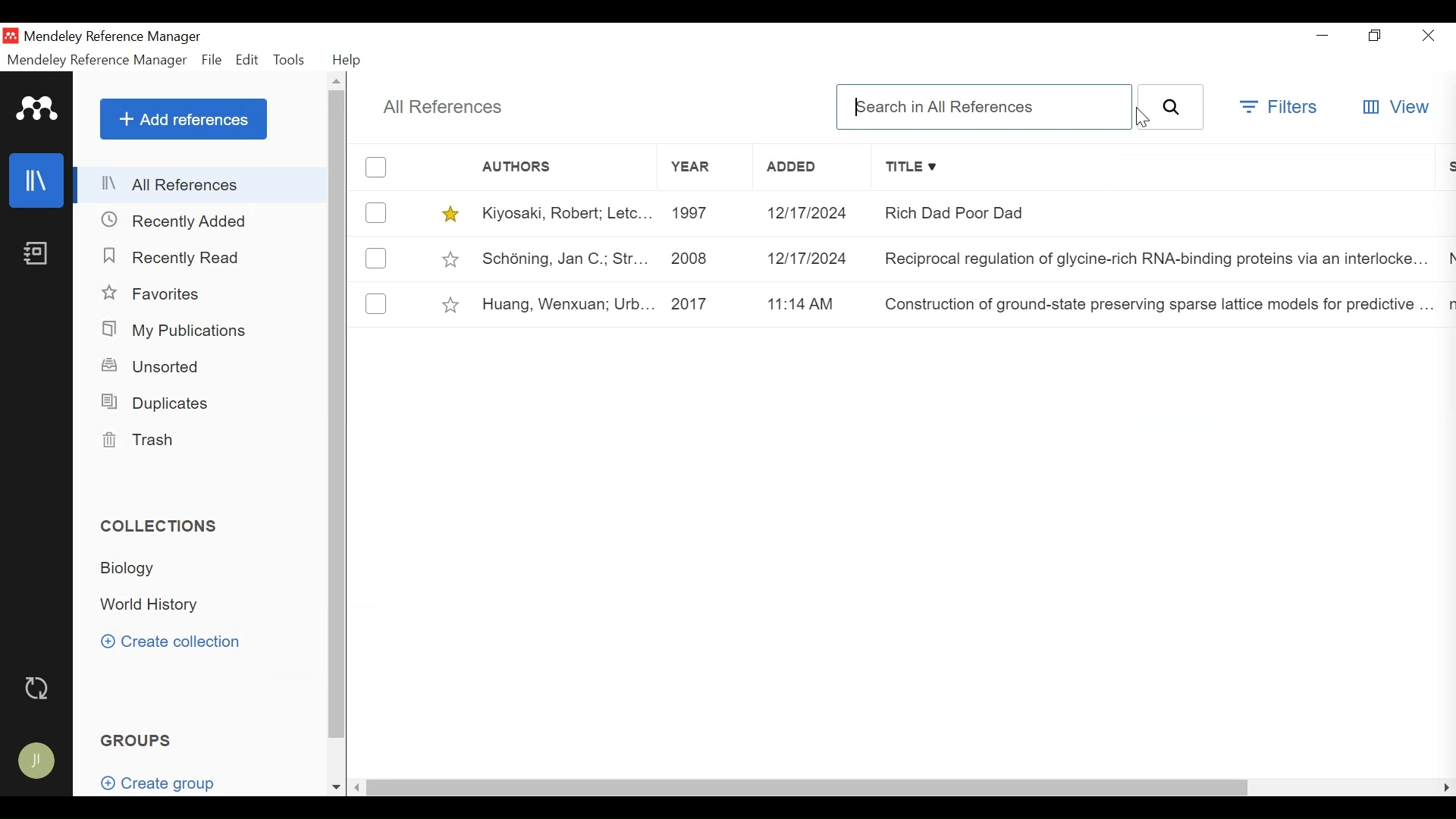 The image size is (1456, 819). Describe the element at coordinates (11, 36) in the screenshot. I see `Mendeley Desktop Icon` at that location.